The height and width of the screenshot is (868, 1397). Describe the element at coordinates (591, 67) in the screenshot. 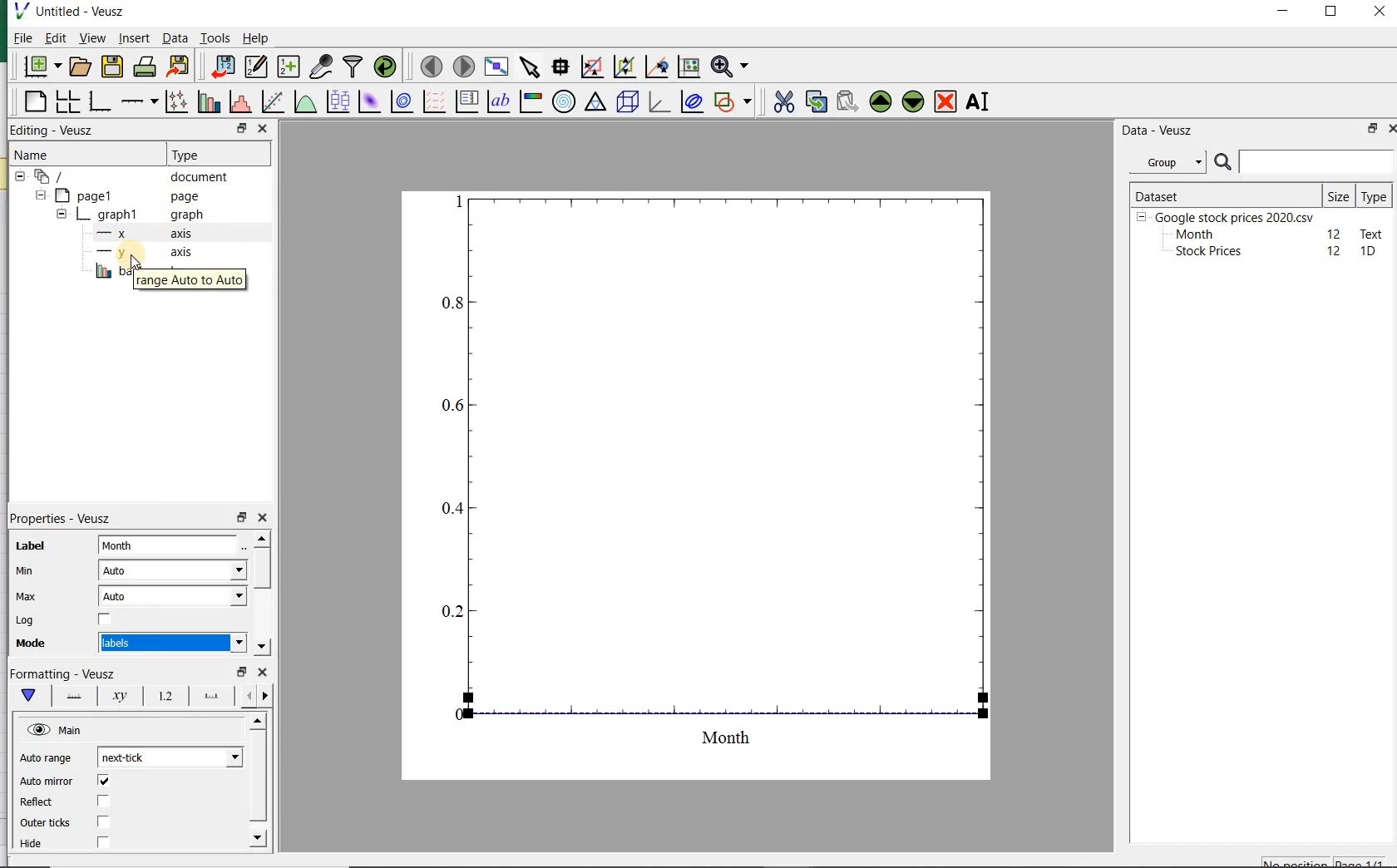

I see `click or draw a rectangle to zoom graph axes` at that location.